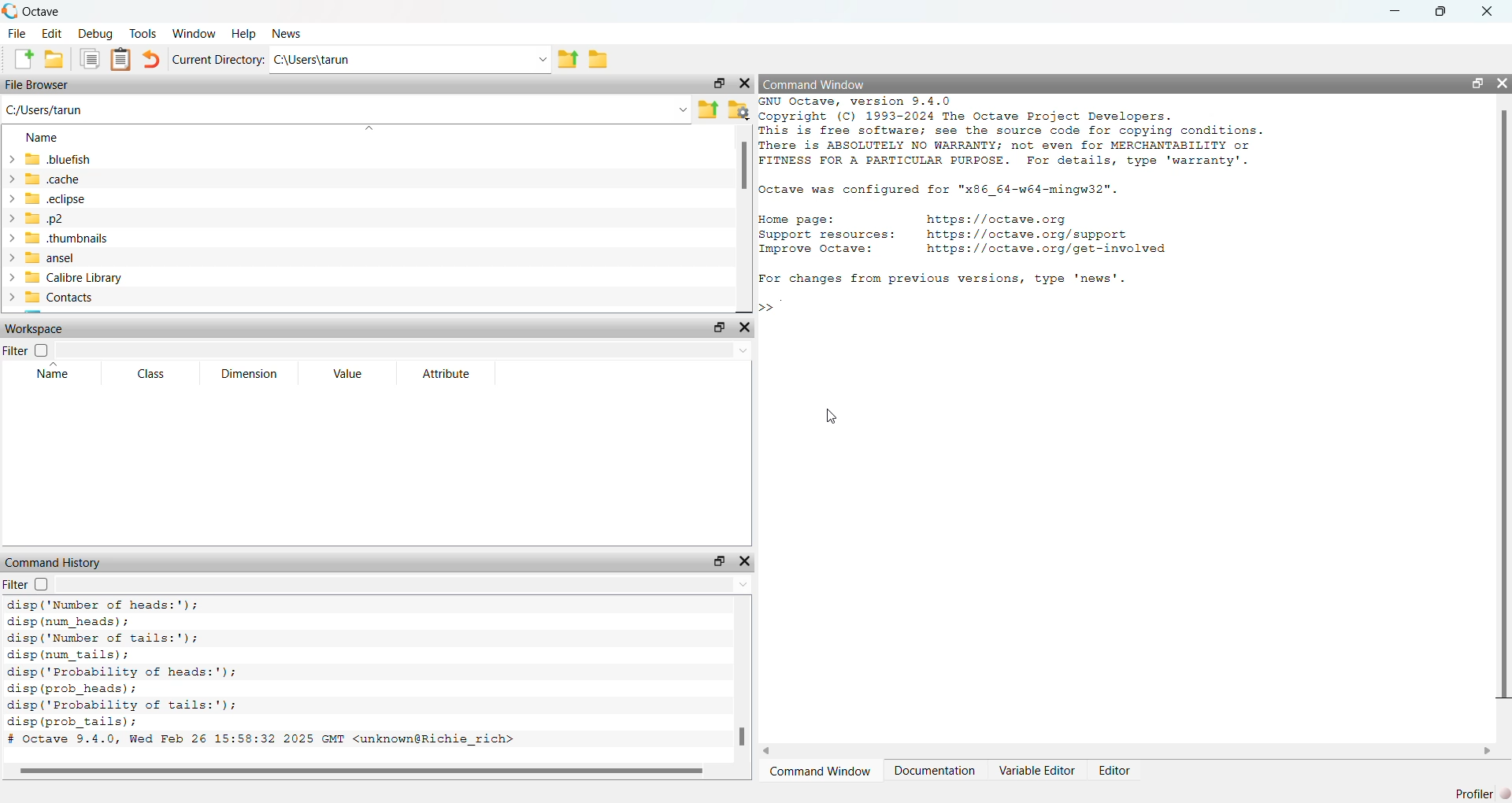  What do you see at coordinates (1128, 751) in the screenshot?
I see `horizontal scroll bar` at bounding box center [1128, 751].